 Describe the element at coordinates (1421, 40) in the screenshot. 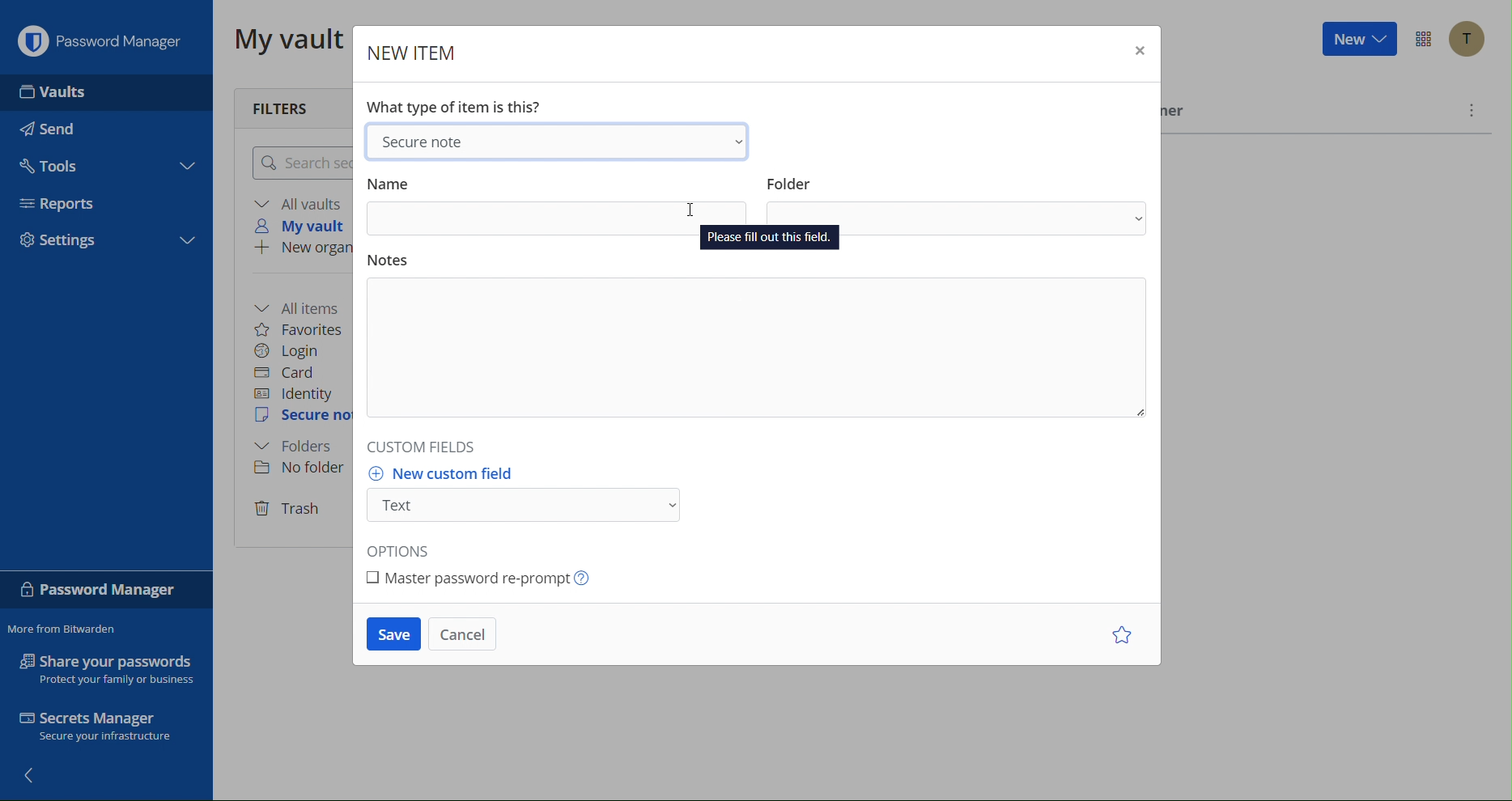

I see `Options` at that location.